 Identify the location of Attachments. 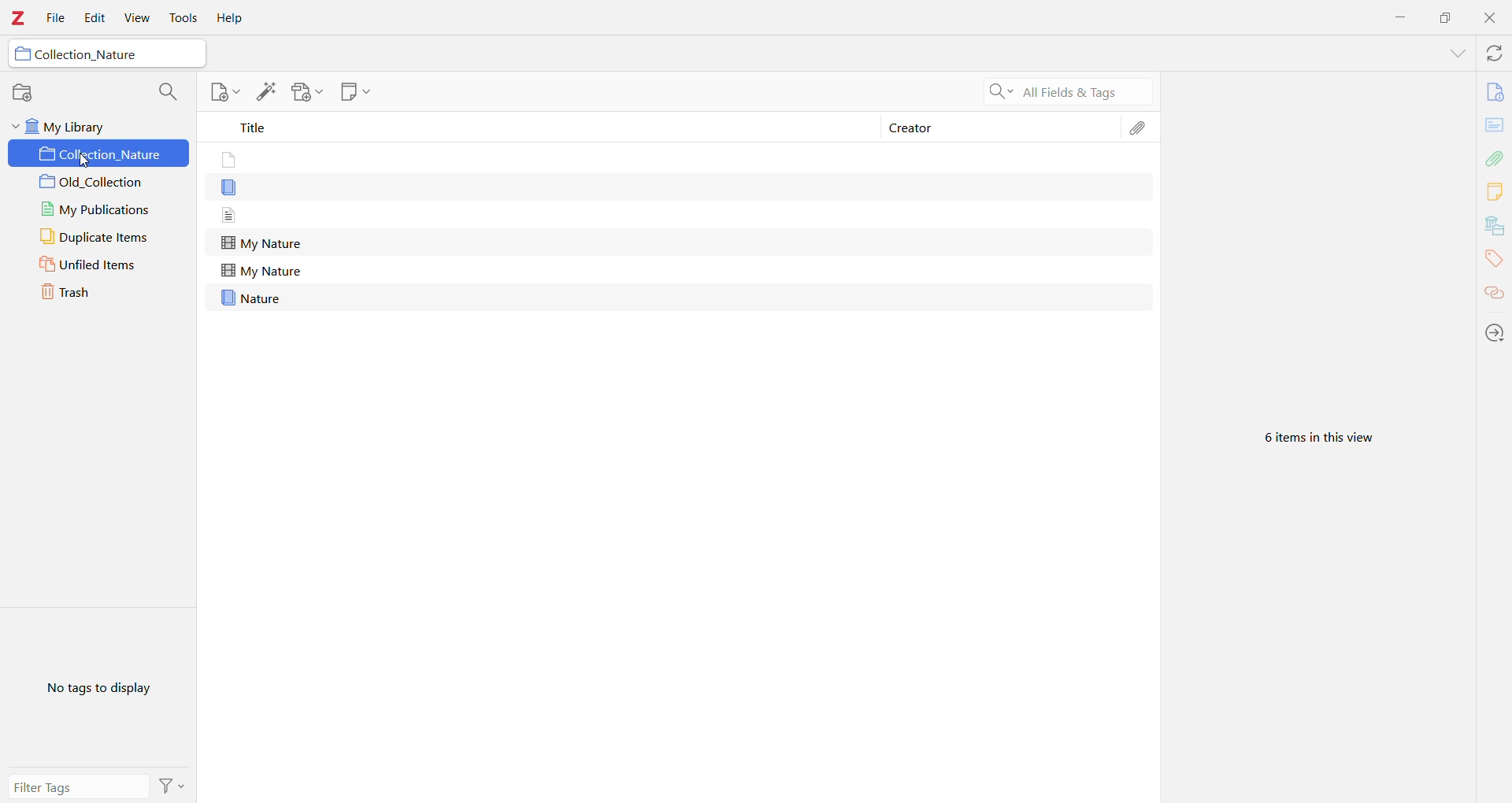
(1141, 128).